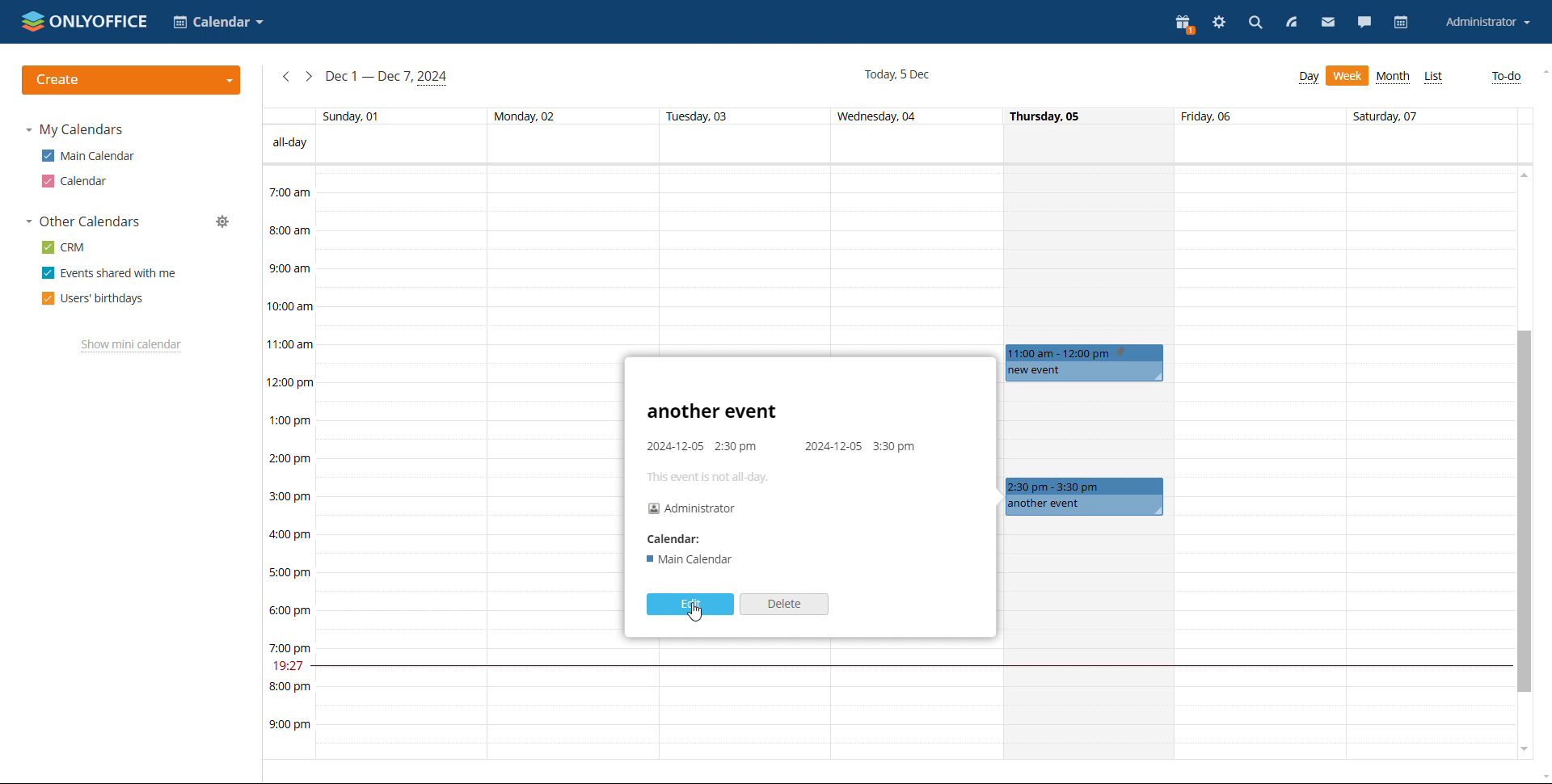  I want to click on This event is not all-day., so click(715, 478).